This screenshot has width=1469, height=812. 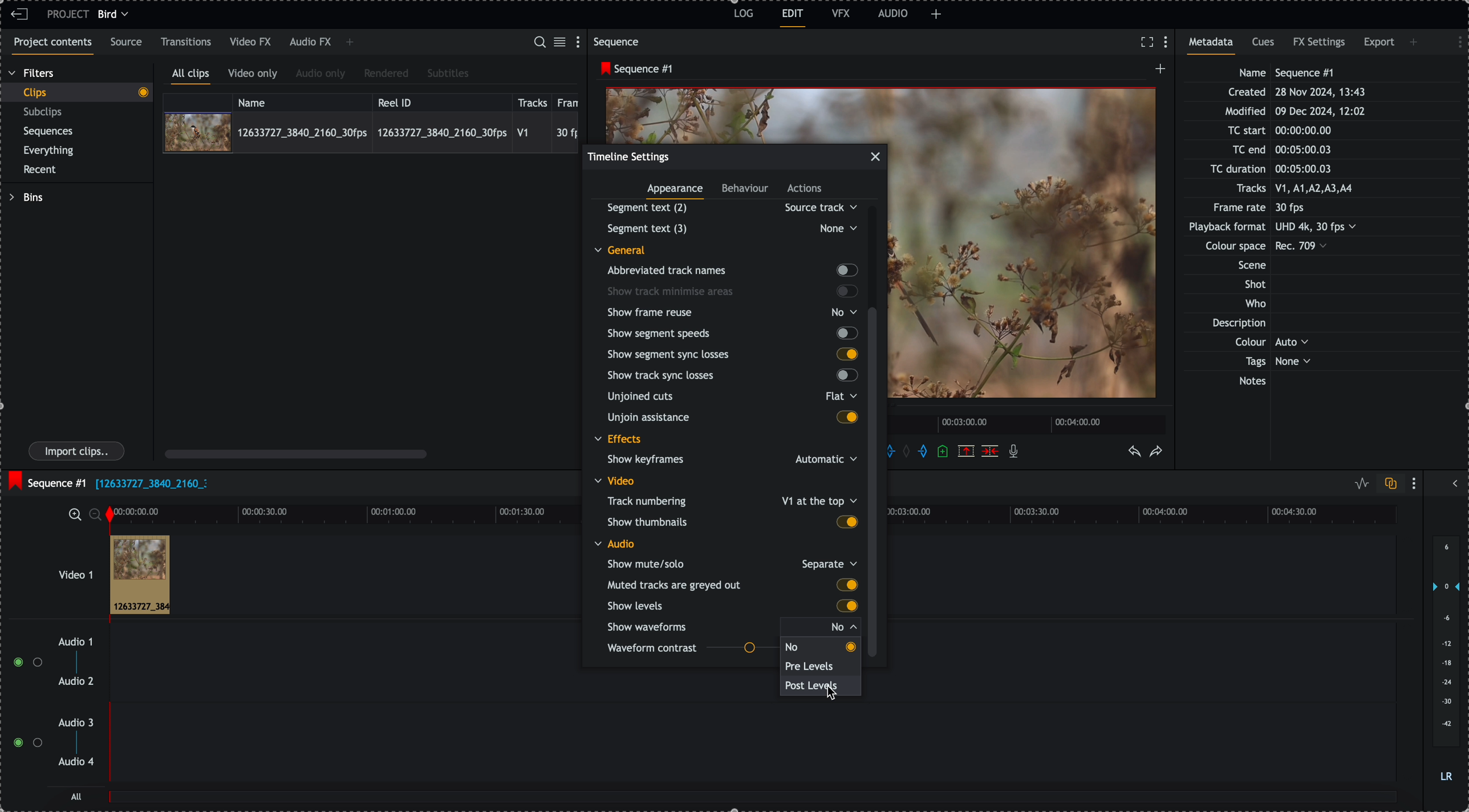 What do you see at coordinates (96, 514) in the screenshot?
I see `zoom ouy` at bounding box center [96, 514].